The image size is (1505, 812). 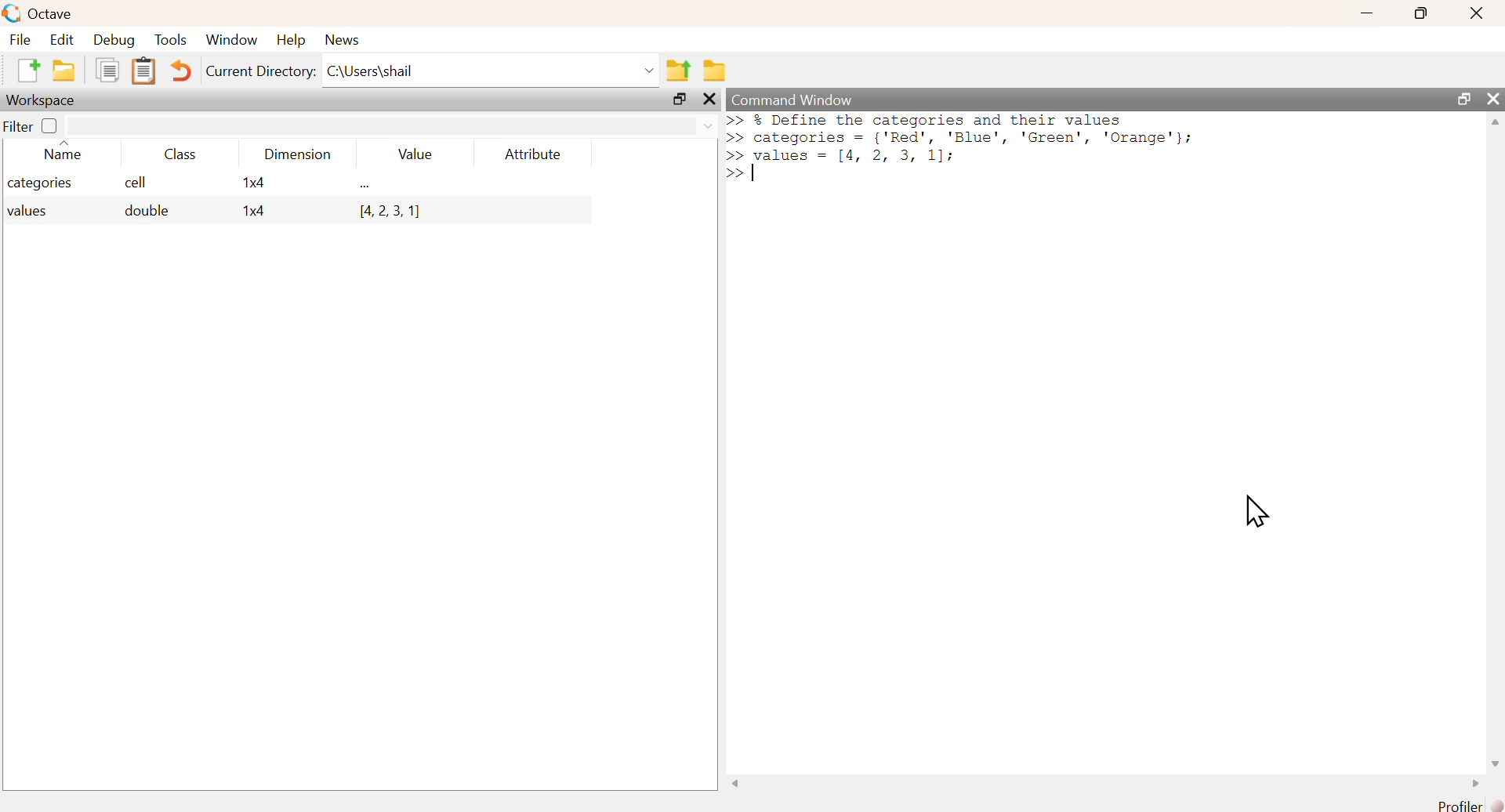 I want to click on Help, so click(x=292, y=40).